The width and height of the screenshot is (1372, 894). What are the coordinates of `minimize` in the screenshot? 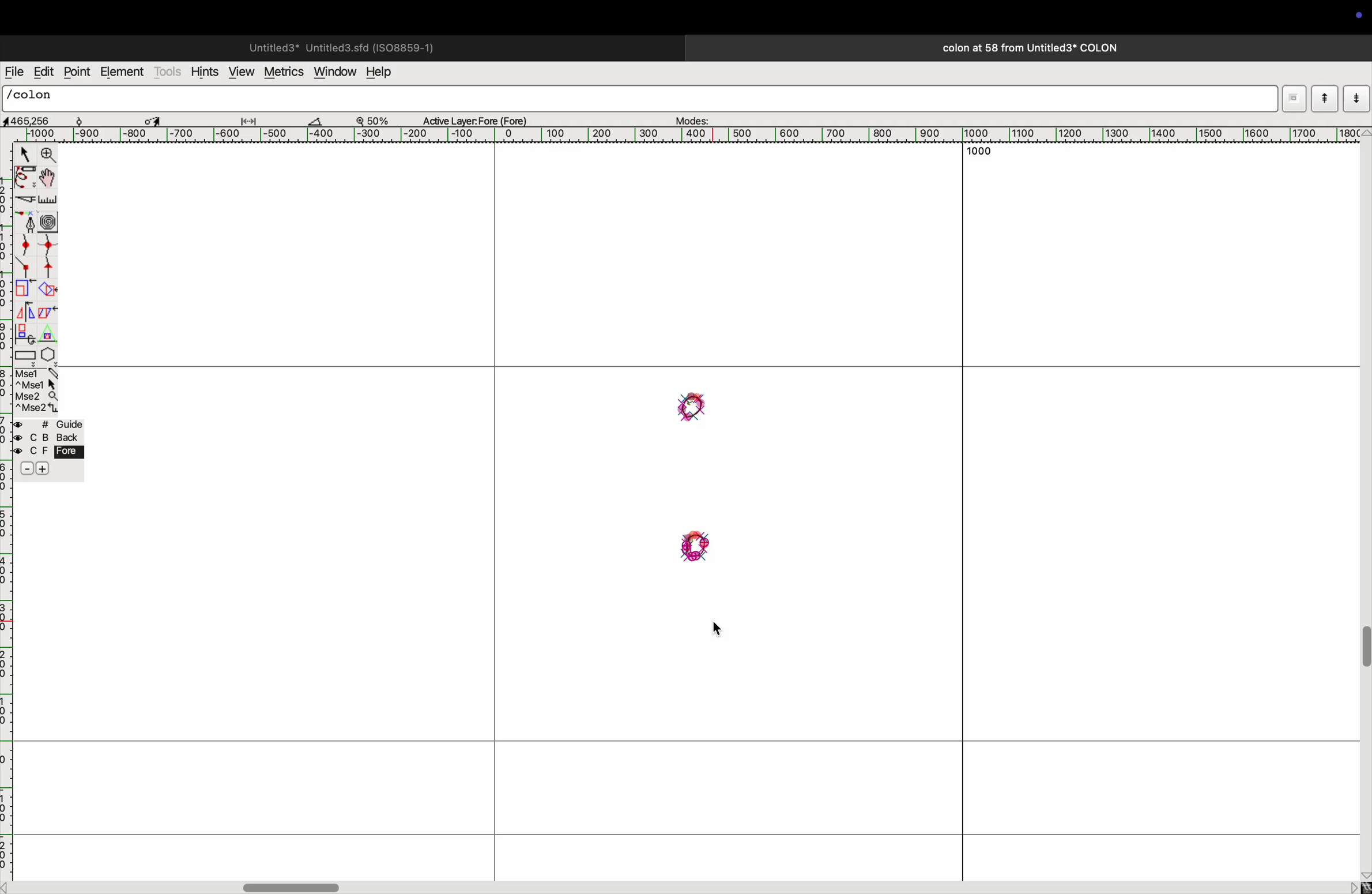 It's located at (24, 290).